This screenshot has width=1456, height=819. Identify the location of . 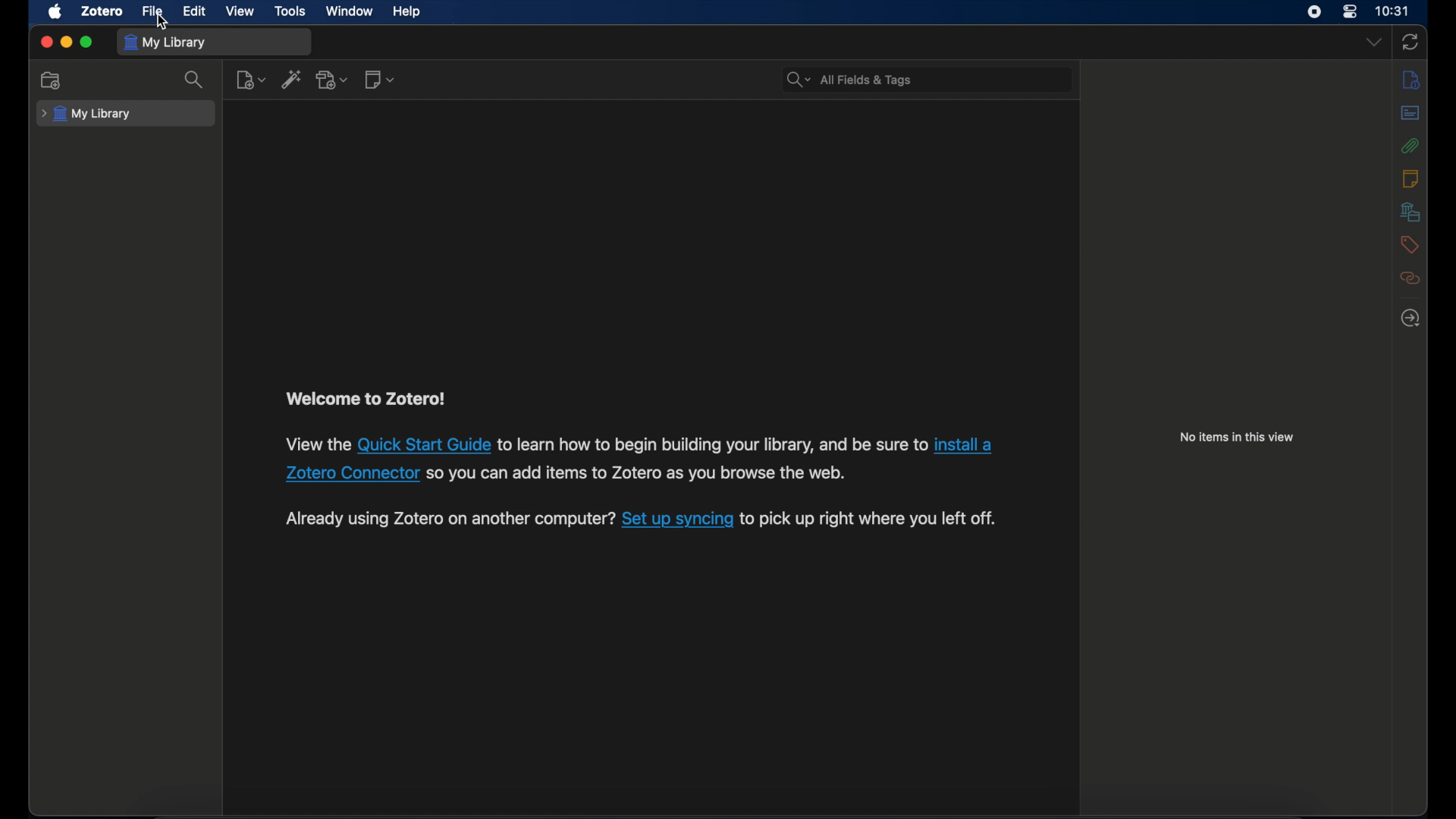
(449, 519).